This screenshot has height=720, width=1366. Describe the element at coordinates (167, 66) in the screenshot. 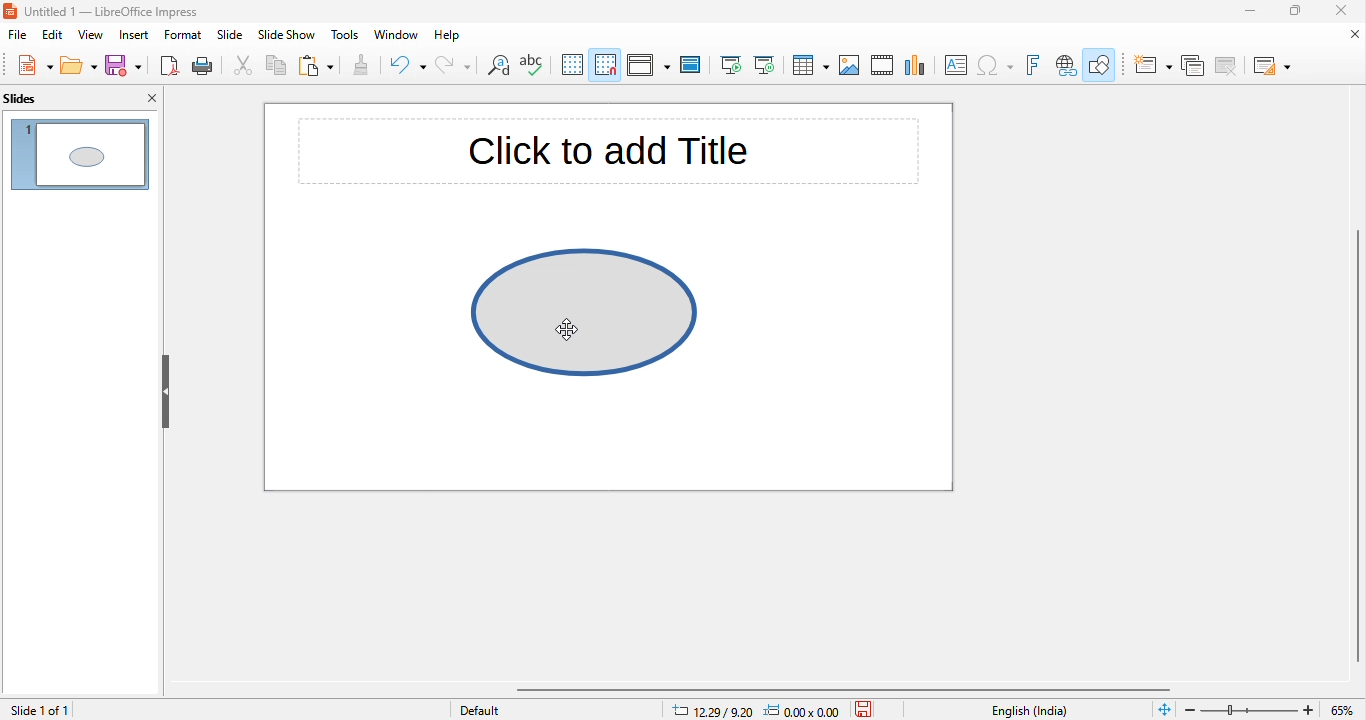

I see `export directly as pdf` at that location.